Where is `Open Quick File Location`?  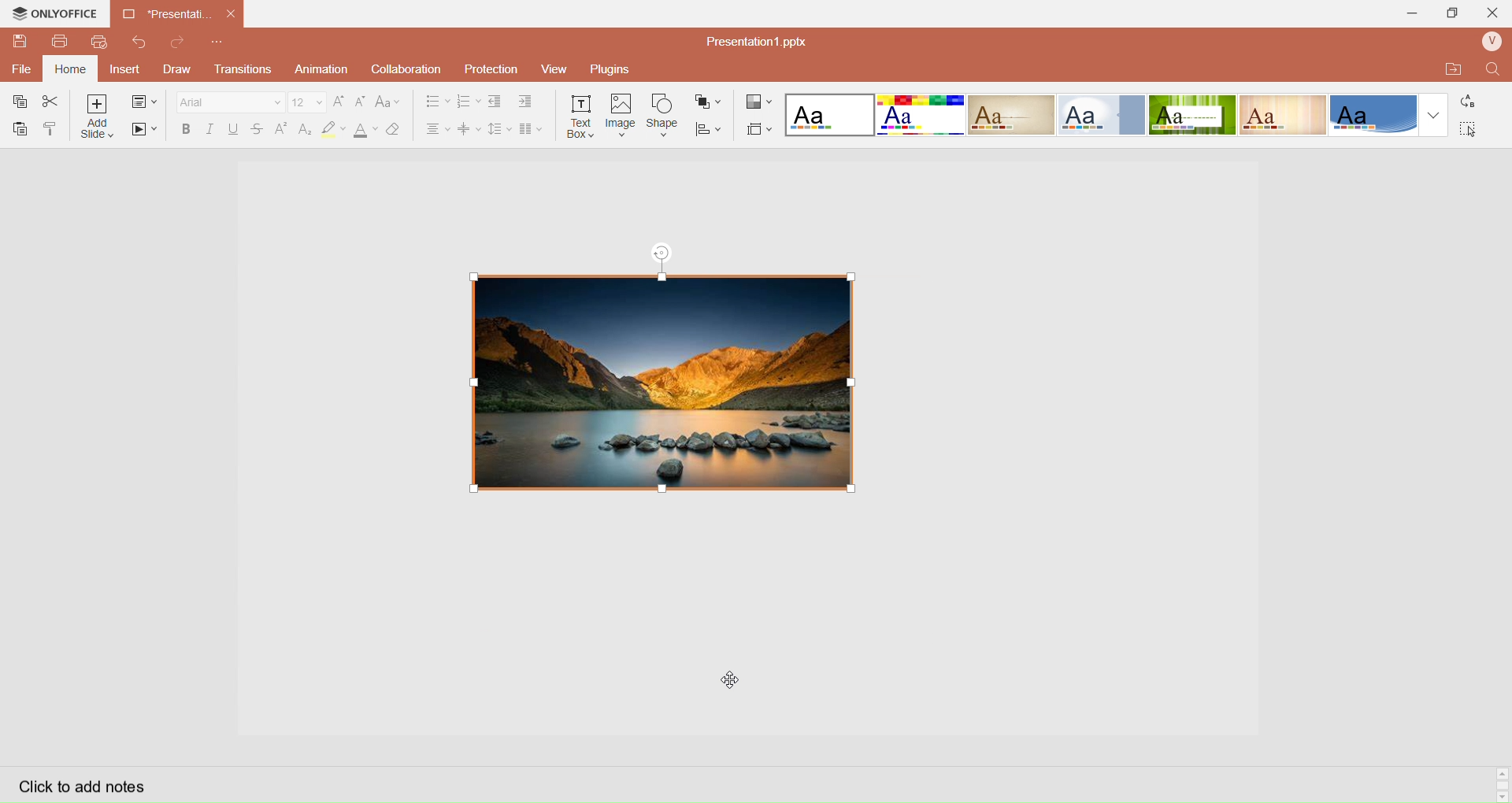 Open Quick File Location is located at coordinates (1454, 69).